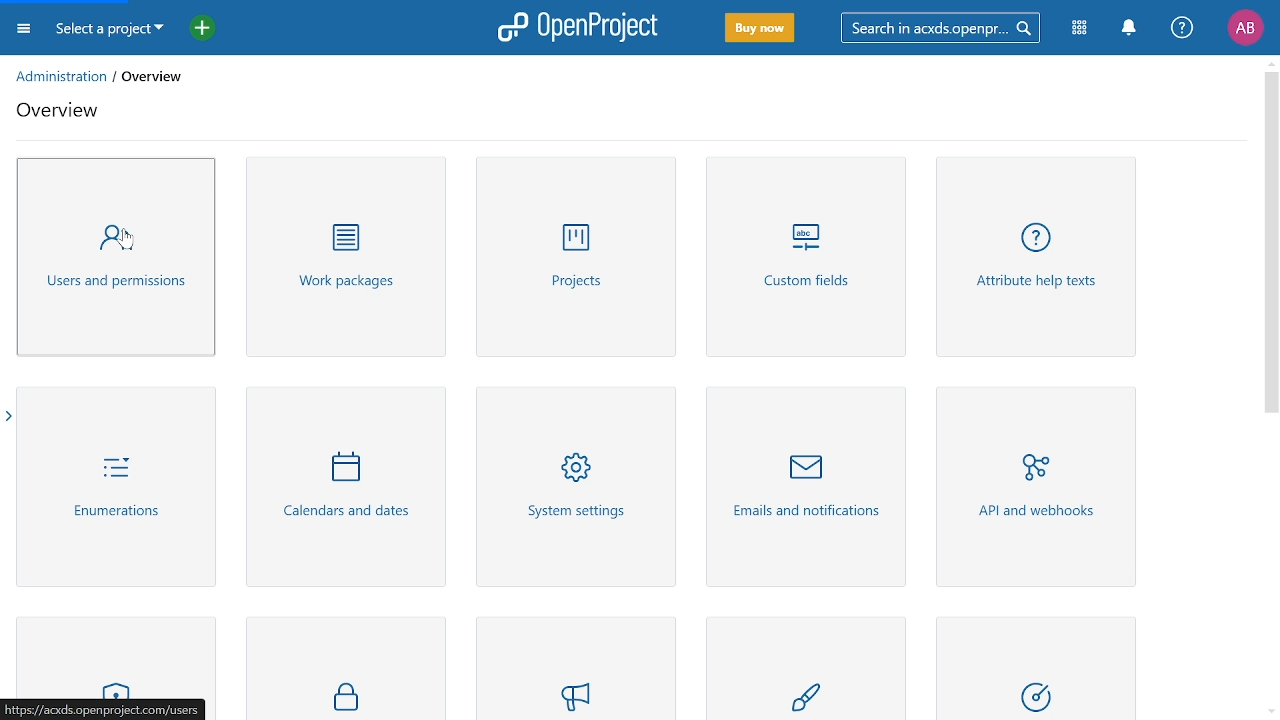 The width and height of the screenshot is (1280, 720). I want to click on search, so click(937, 27).